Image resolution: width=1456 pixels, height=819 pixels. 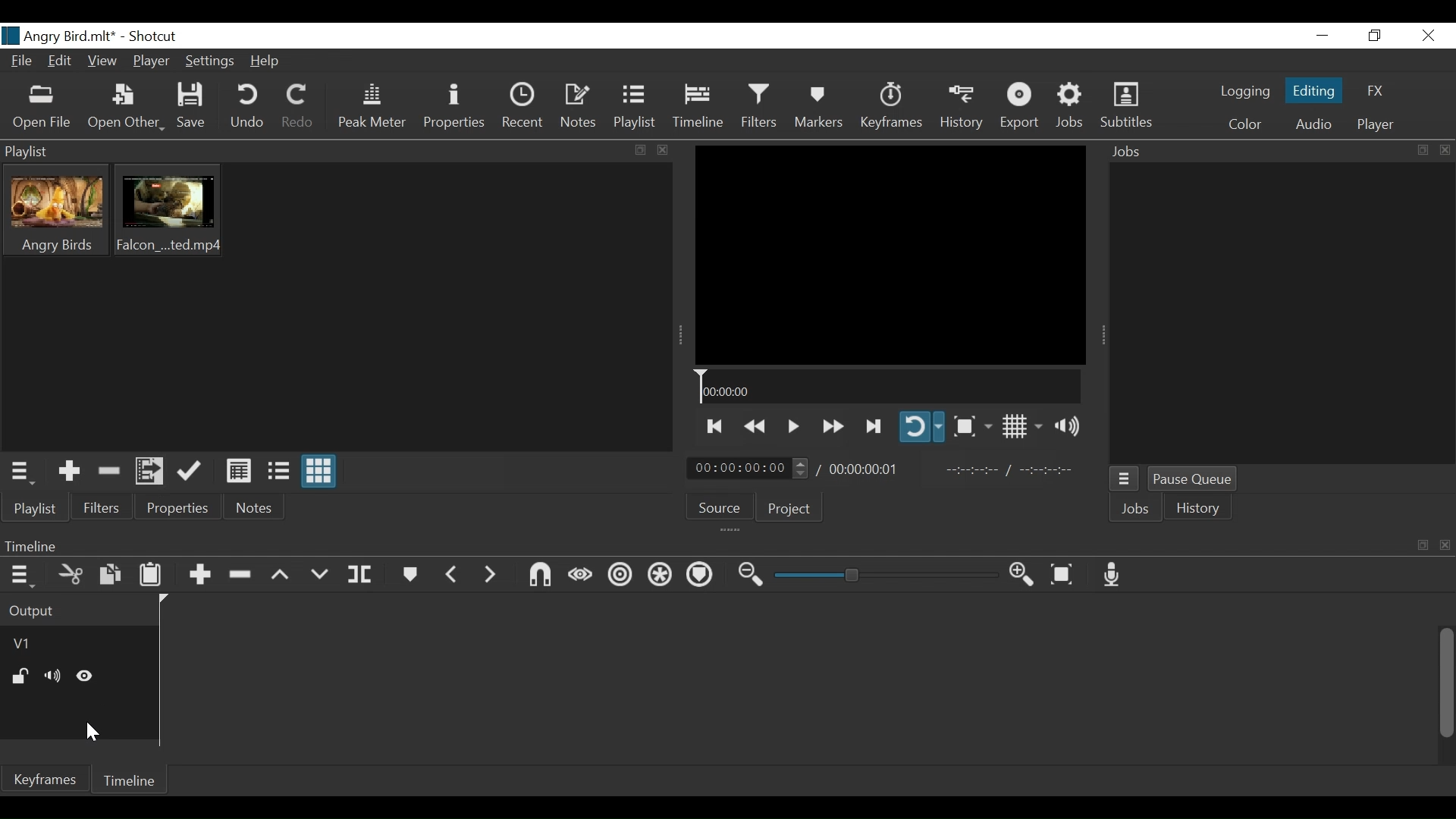 What do you see at coordinates (973, 427) in the screenshot?
I see `Toggle zoom` at bounding box center [973, 427].